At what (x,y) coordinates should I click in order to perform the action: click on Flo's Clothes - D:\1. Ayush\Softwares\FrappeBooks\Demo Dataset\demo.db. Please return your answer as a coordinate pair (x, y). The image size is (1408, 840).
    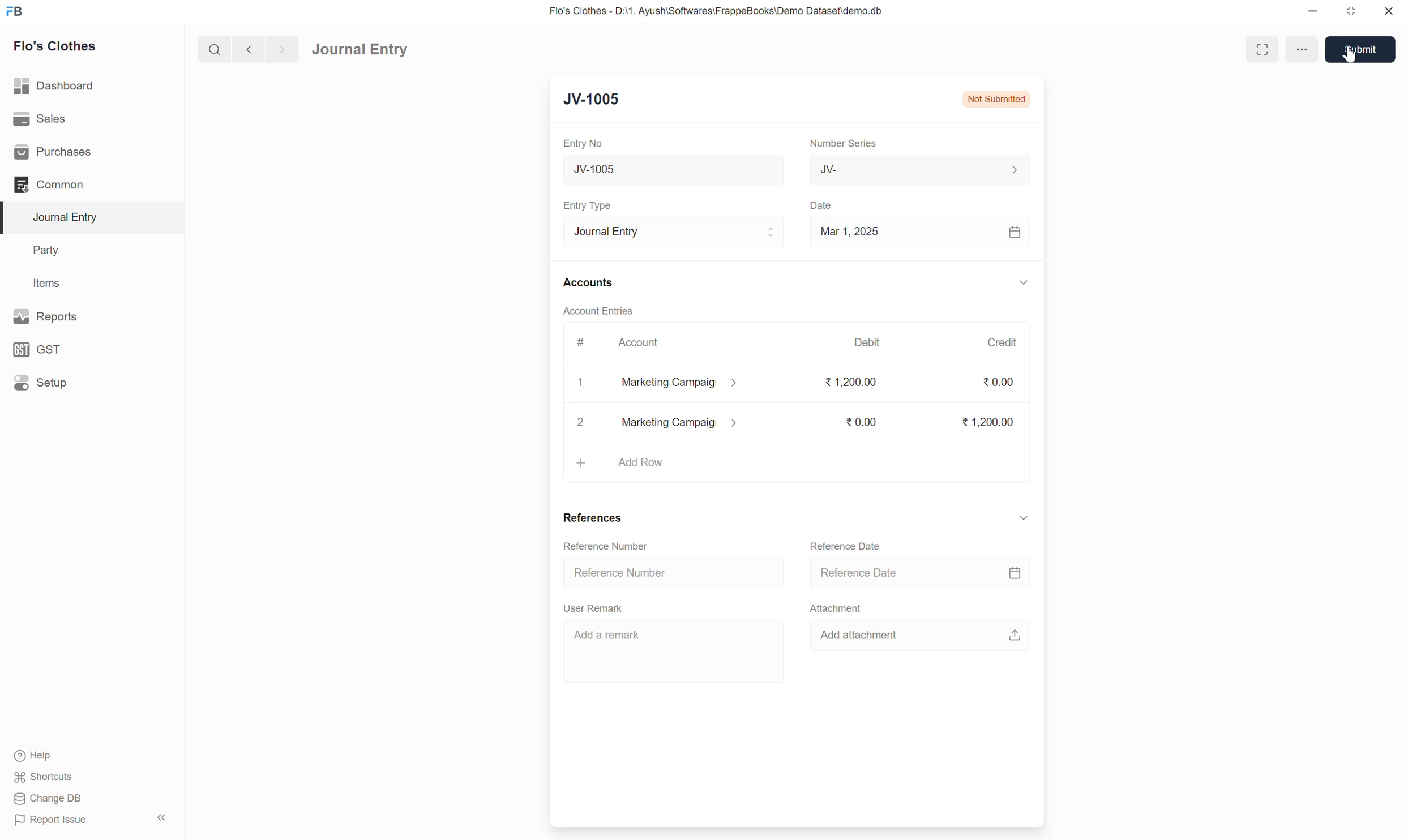
    Looking at the image, I should click on (719, 10).